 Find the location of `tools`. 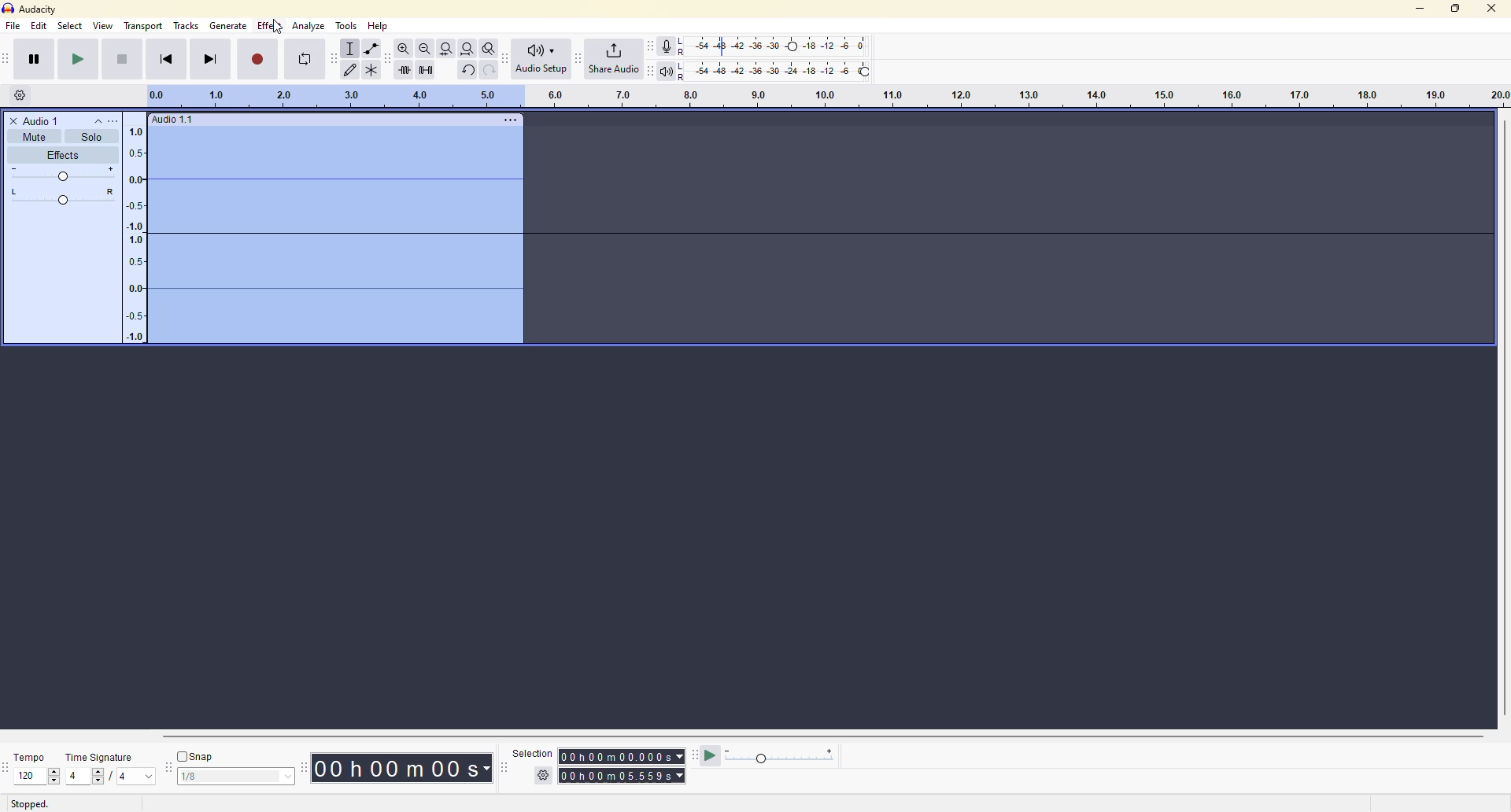

tools is located at coordinates (345, 25).